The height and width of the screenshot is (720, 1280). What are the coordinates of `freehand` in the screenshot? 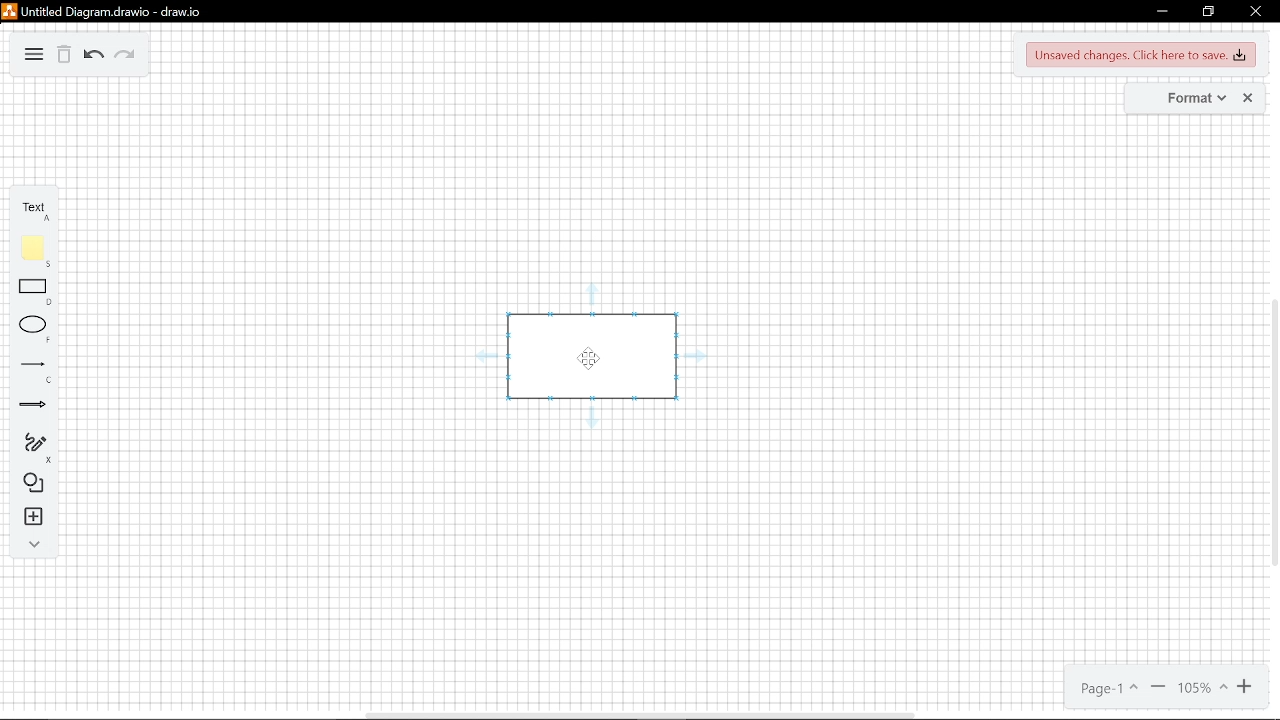 It's located at (38, 447).